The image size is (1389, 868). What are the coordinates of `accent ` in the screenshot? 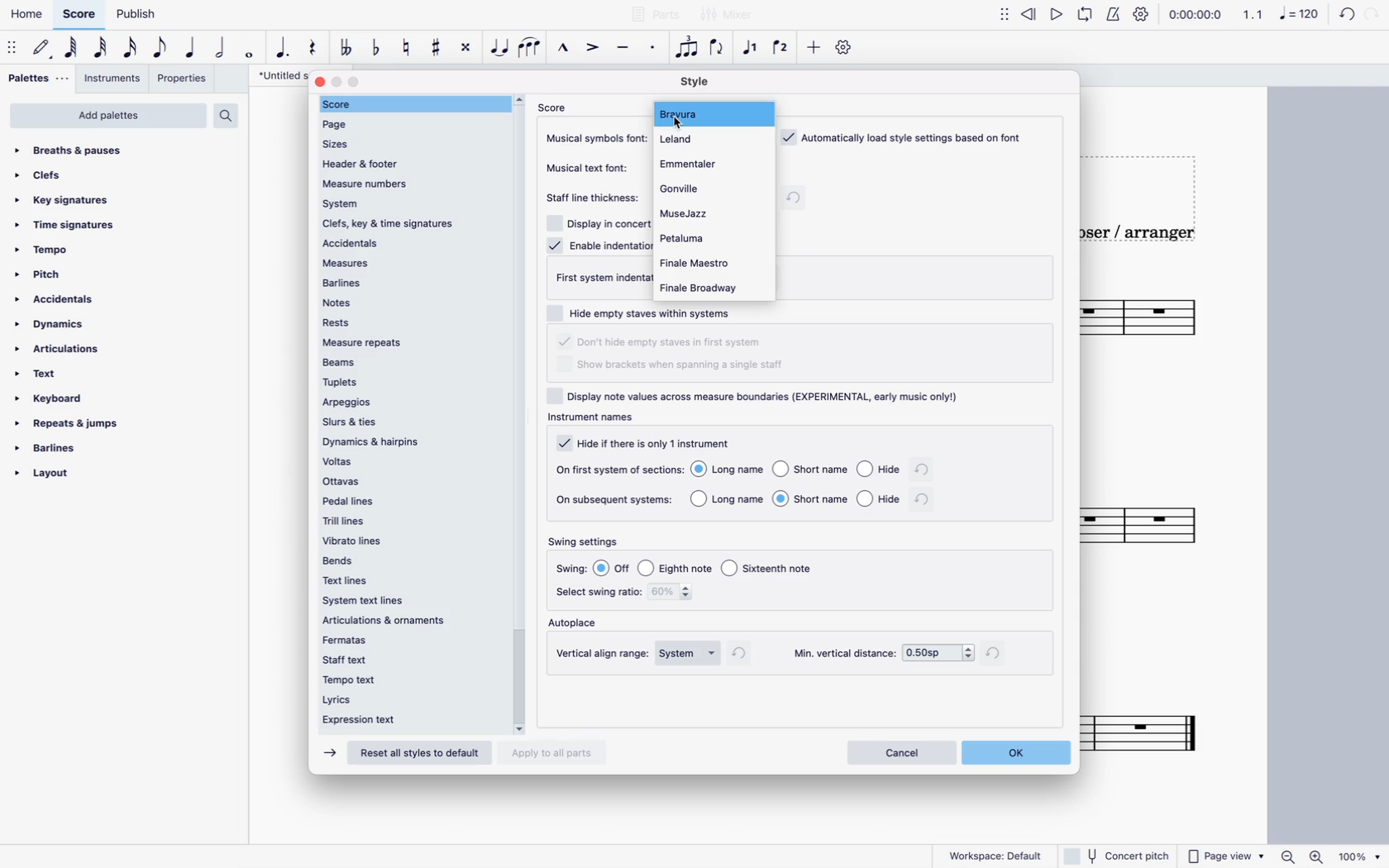 It's located at (594, 51).